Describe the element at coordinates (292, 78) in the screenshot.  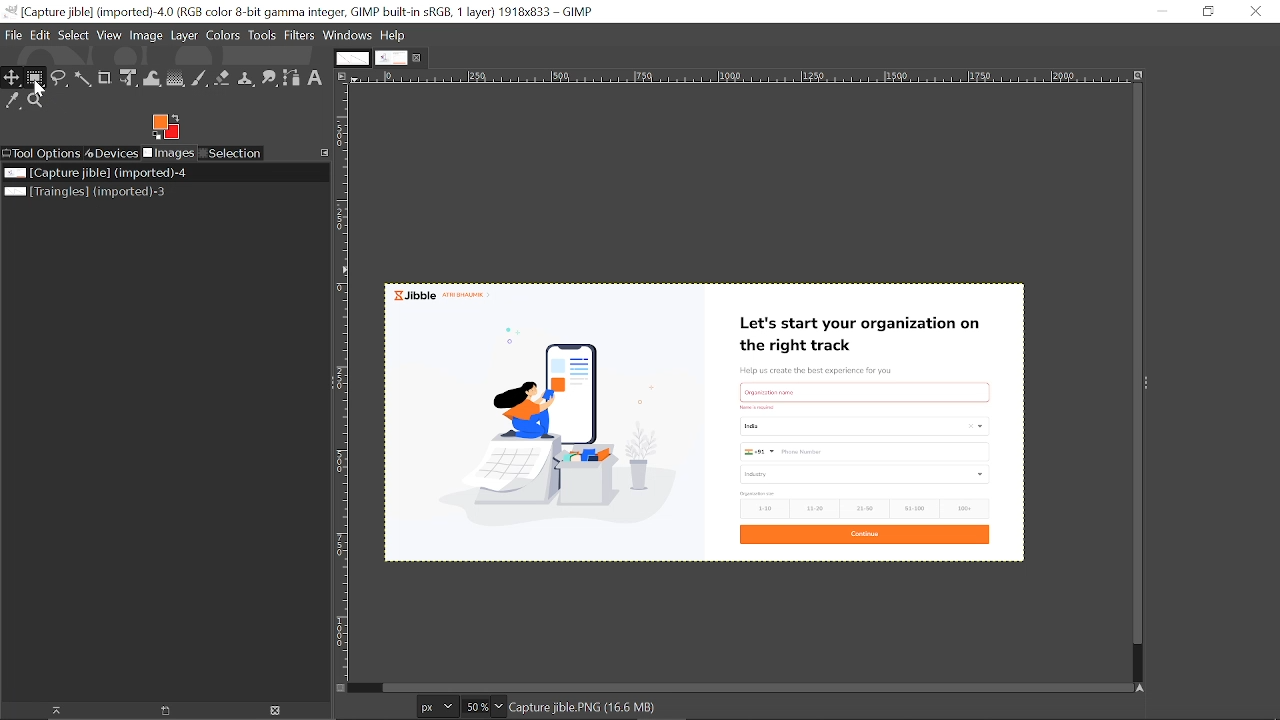
I see `Paths tool` at that location.